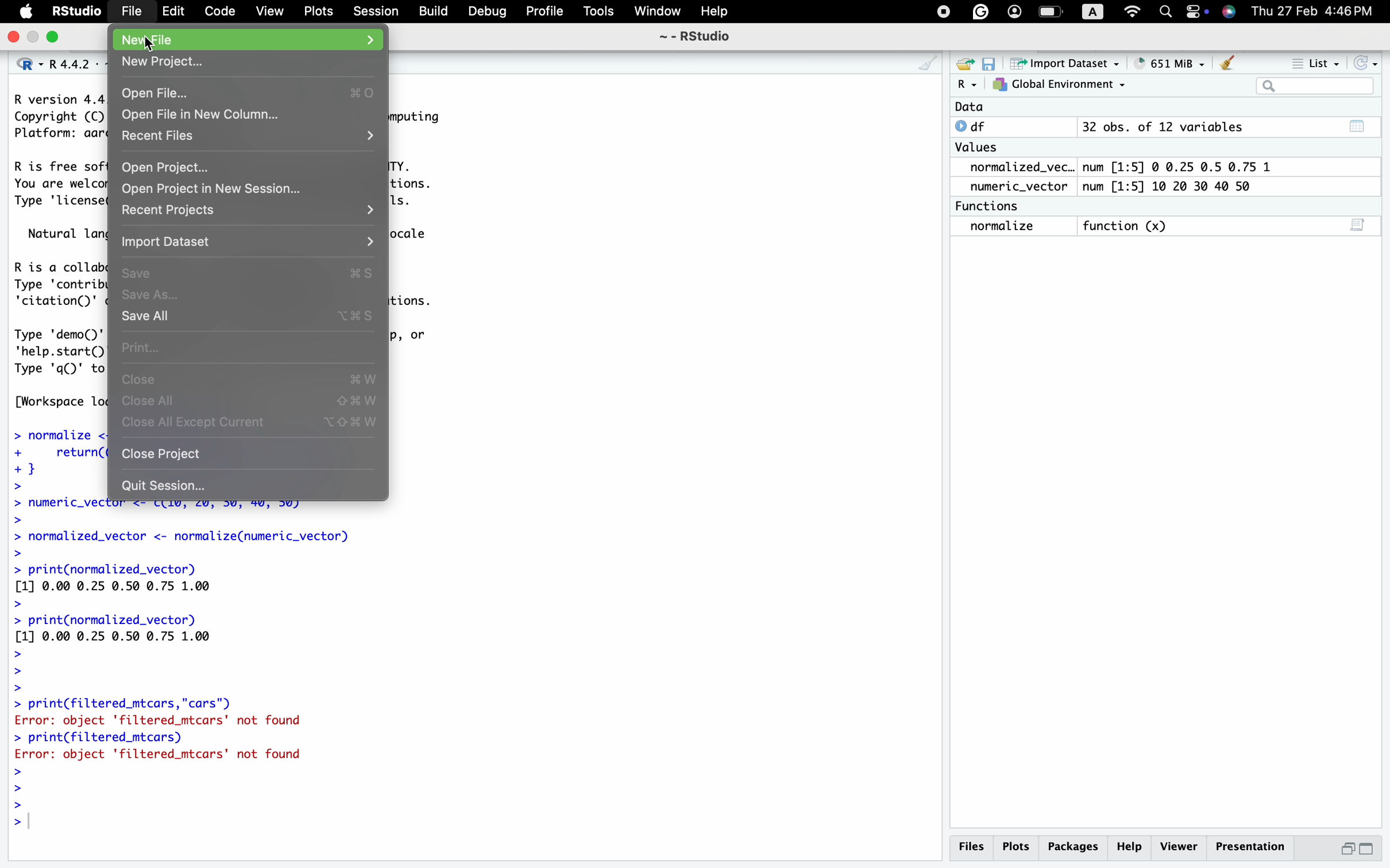 The image size is (1390, 868). I want to click on Help, so click(721, 11).